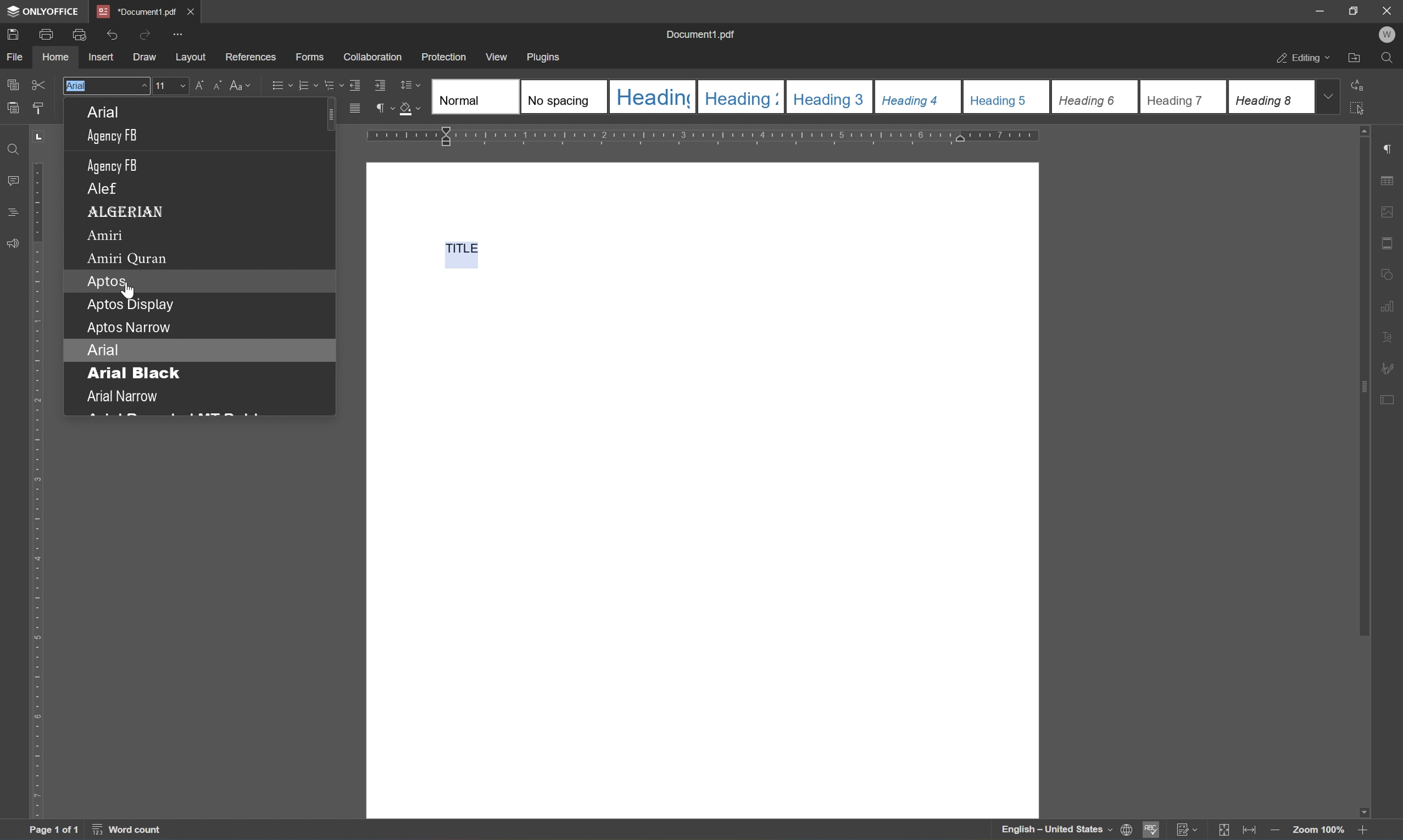  Describe the element at coordinates (15, 55) in the screenshot. I see `file` at that location.